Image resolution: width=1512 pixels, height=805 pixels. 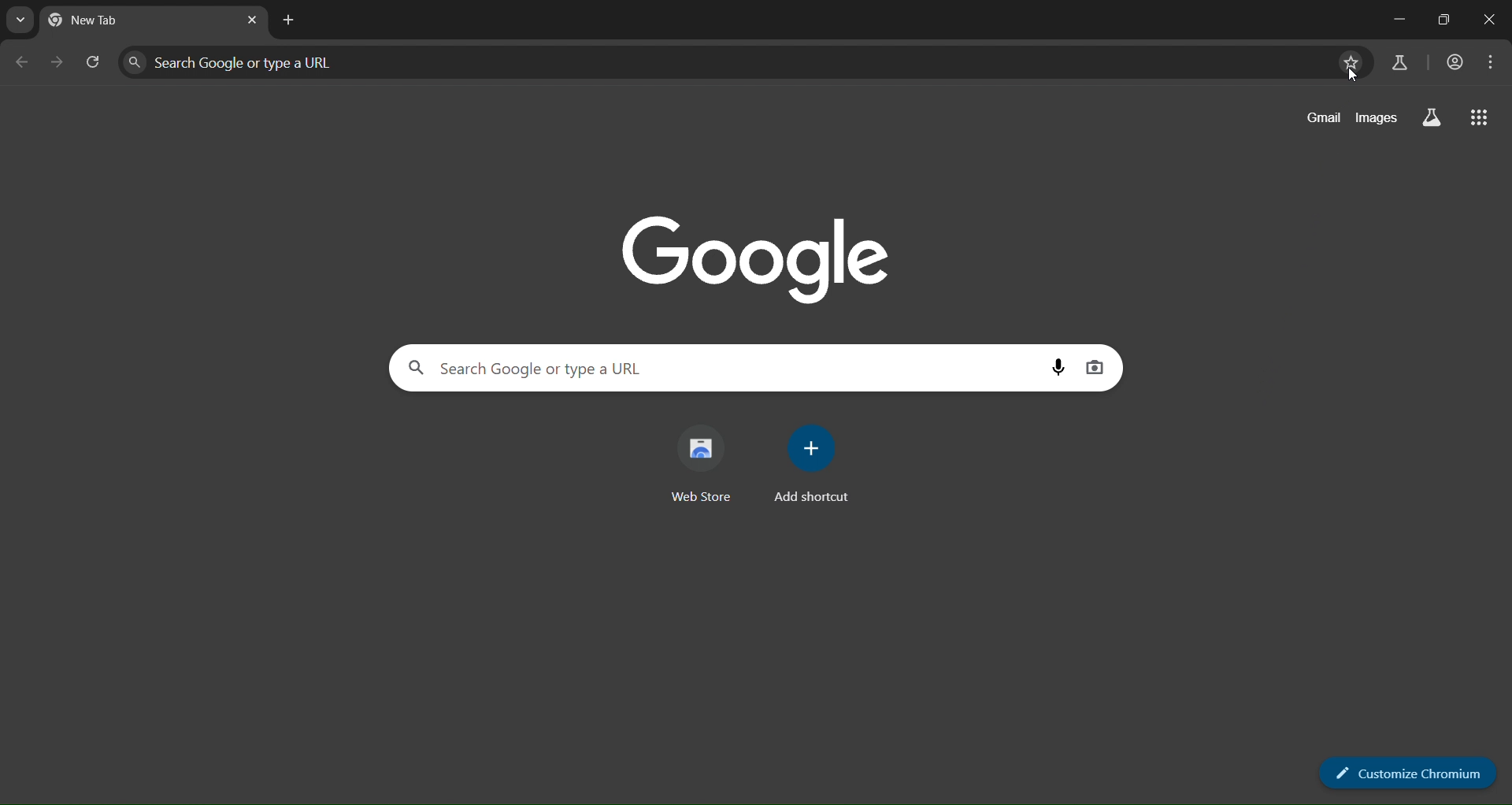 What do you see at coordinates (1443, 18) in the screenshot?
I see `restore down` at bounding box center [1443, 18].